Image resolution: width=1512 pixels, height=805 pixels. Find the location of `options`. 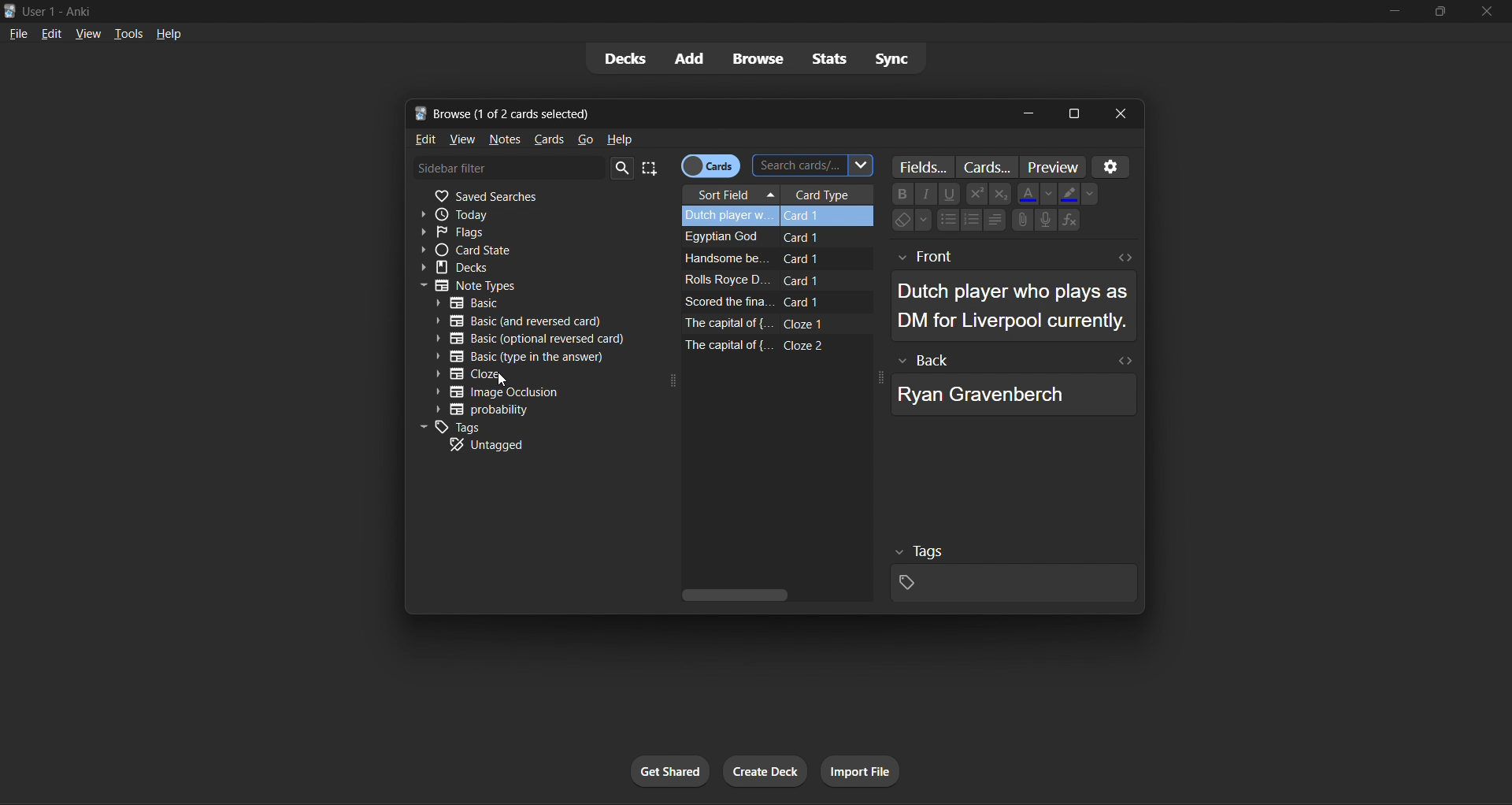

options is located at coordinates (1114, 166).